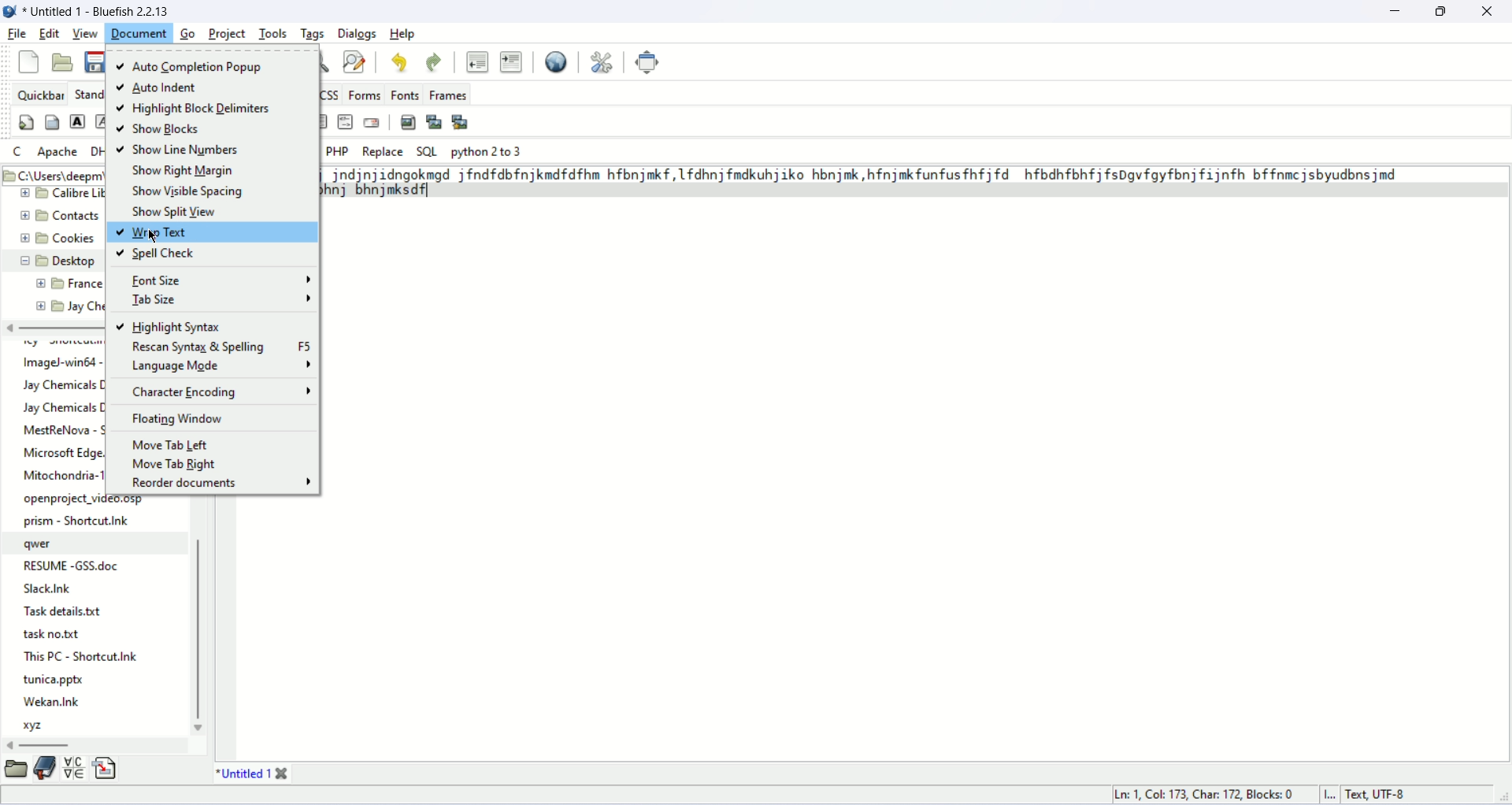  Describe the element at coordinates (220, 301) in the screenshot. I see `tab size` at that location.